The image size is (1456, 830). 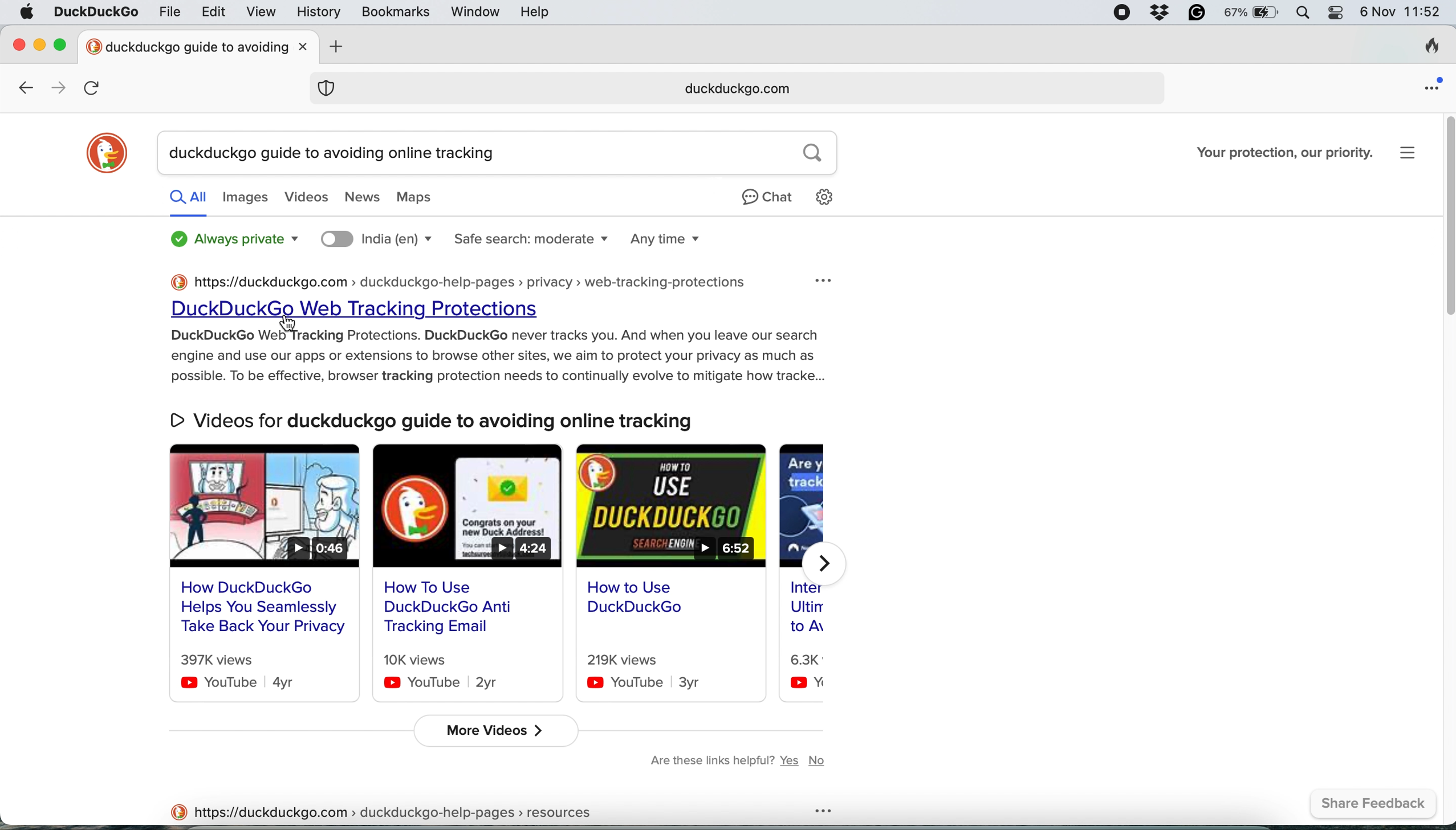 I want to click on How DuckDuckGo
Helps You Seamlessly
Take Back Your Privacy, so click(x=261, y=609).